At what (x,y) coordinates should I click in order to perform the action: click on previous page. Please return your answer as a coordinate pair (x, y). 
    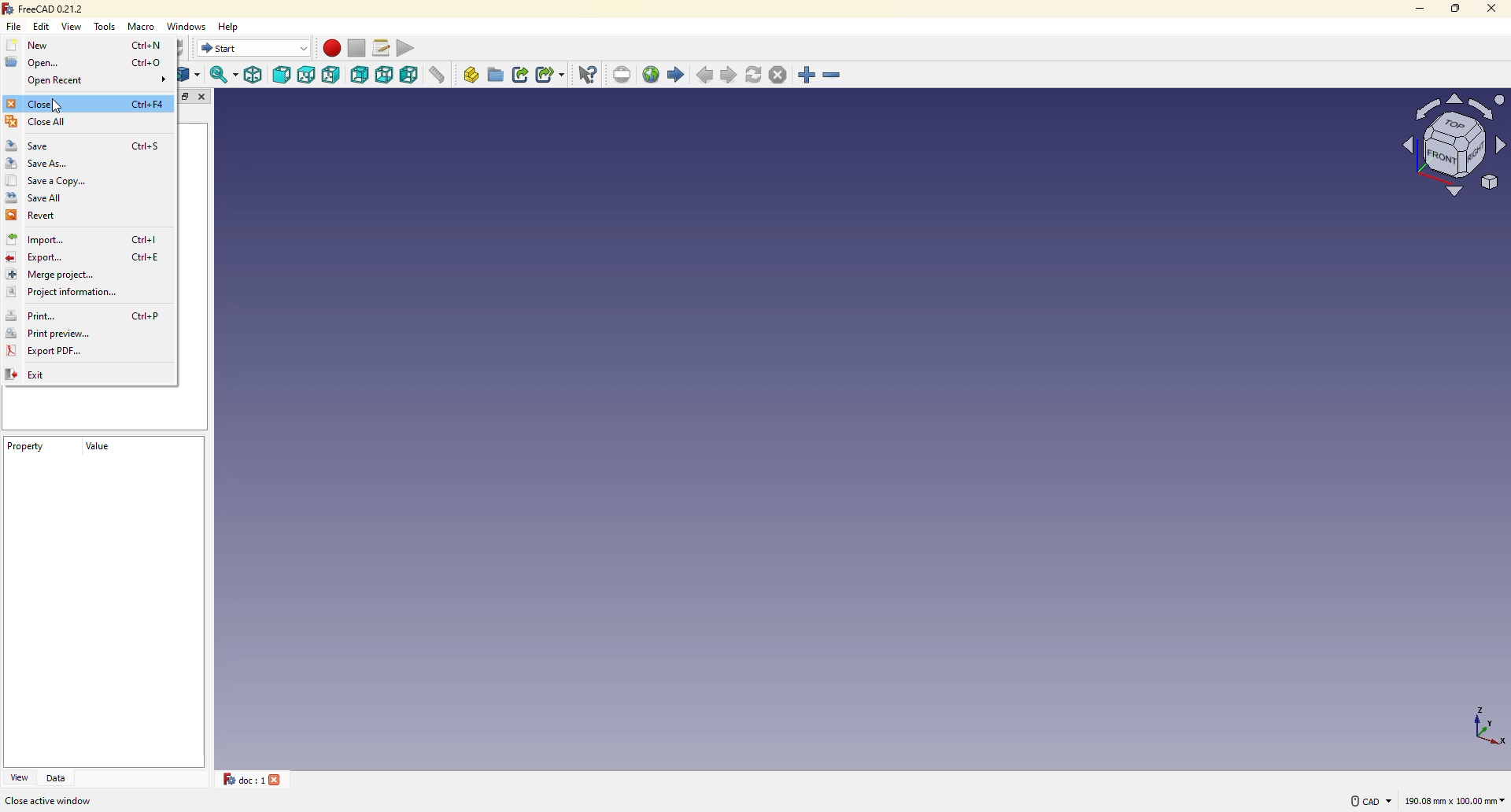
    Looking at the image, I should click on (707, 76).